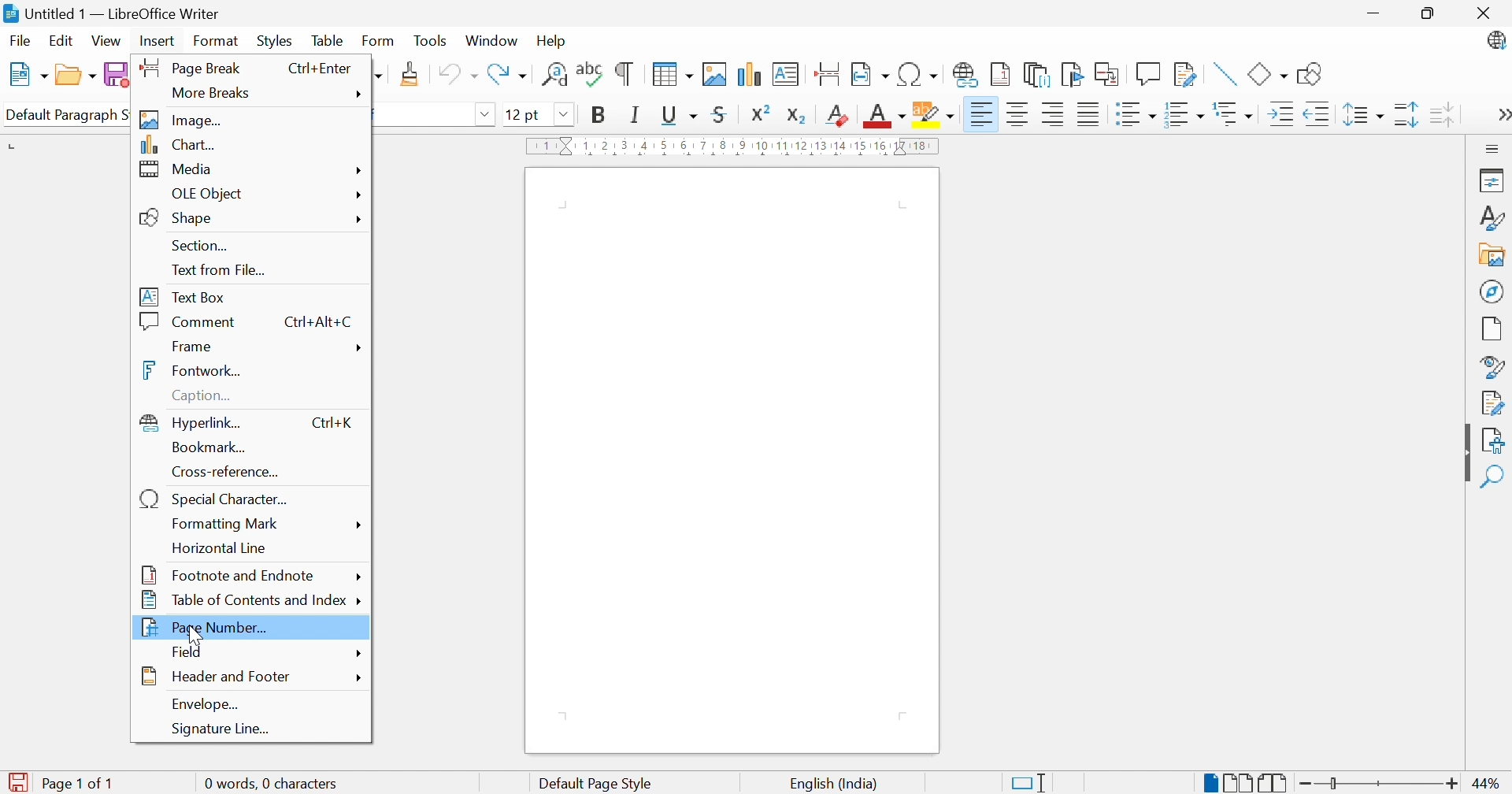  Describe the element at coordinates (1213, 782) in the screenshot. I see `Single-page view` at that location.